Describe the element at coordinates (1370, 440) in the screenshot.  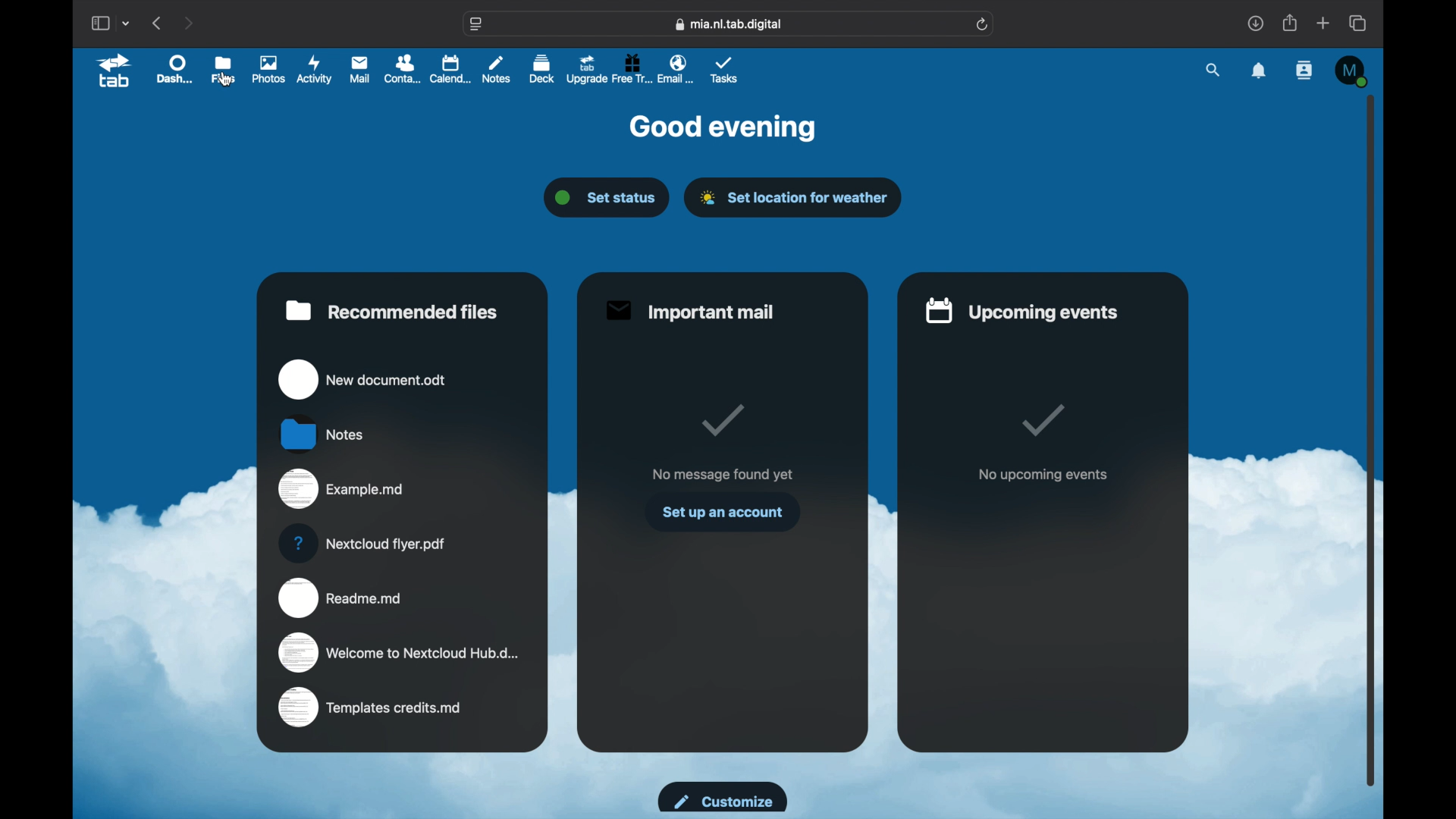
I see `scroll box` at that location.